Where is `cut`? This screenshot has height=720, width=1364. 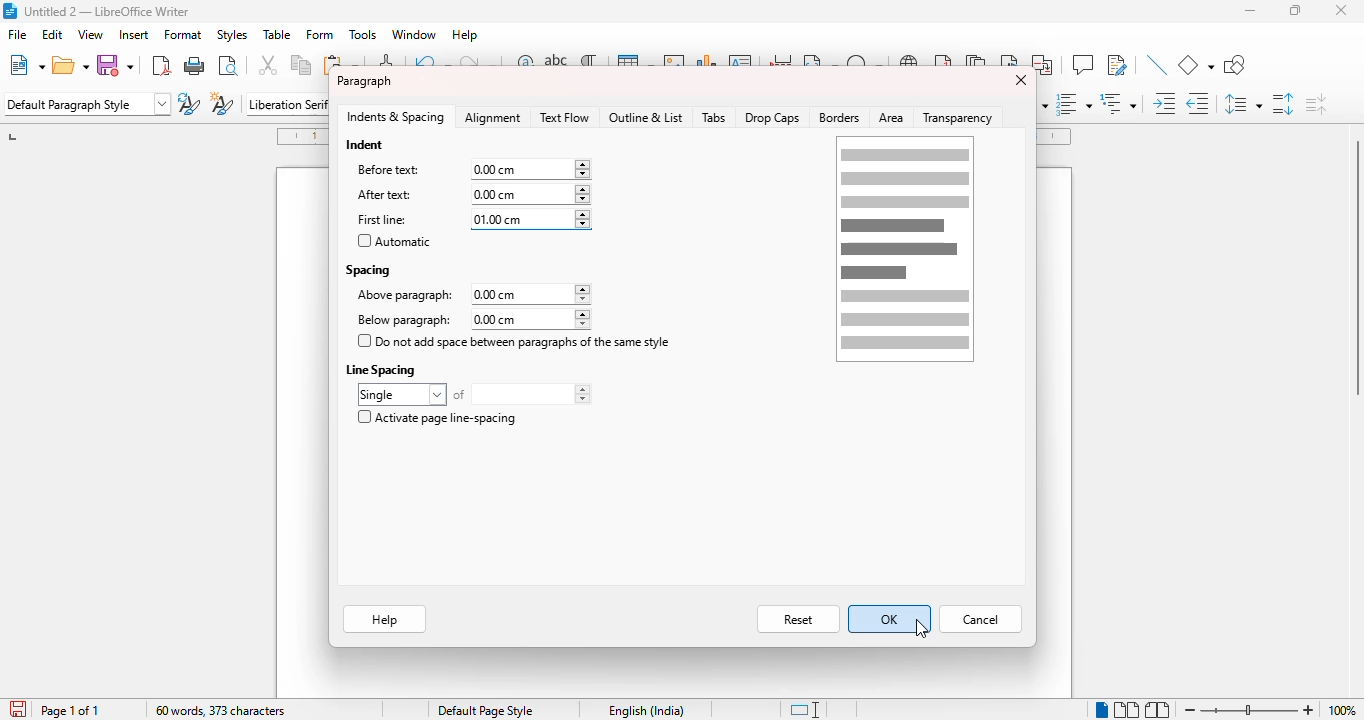 cut is located at coordinates (269, 65).